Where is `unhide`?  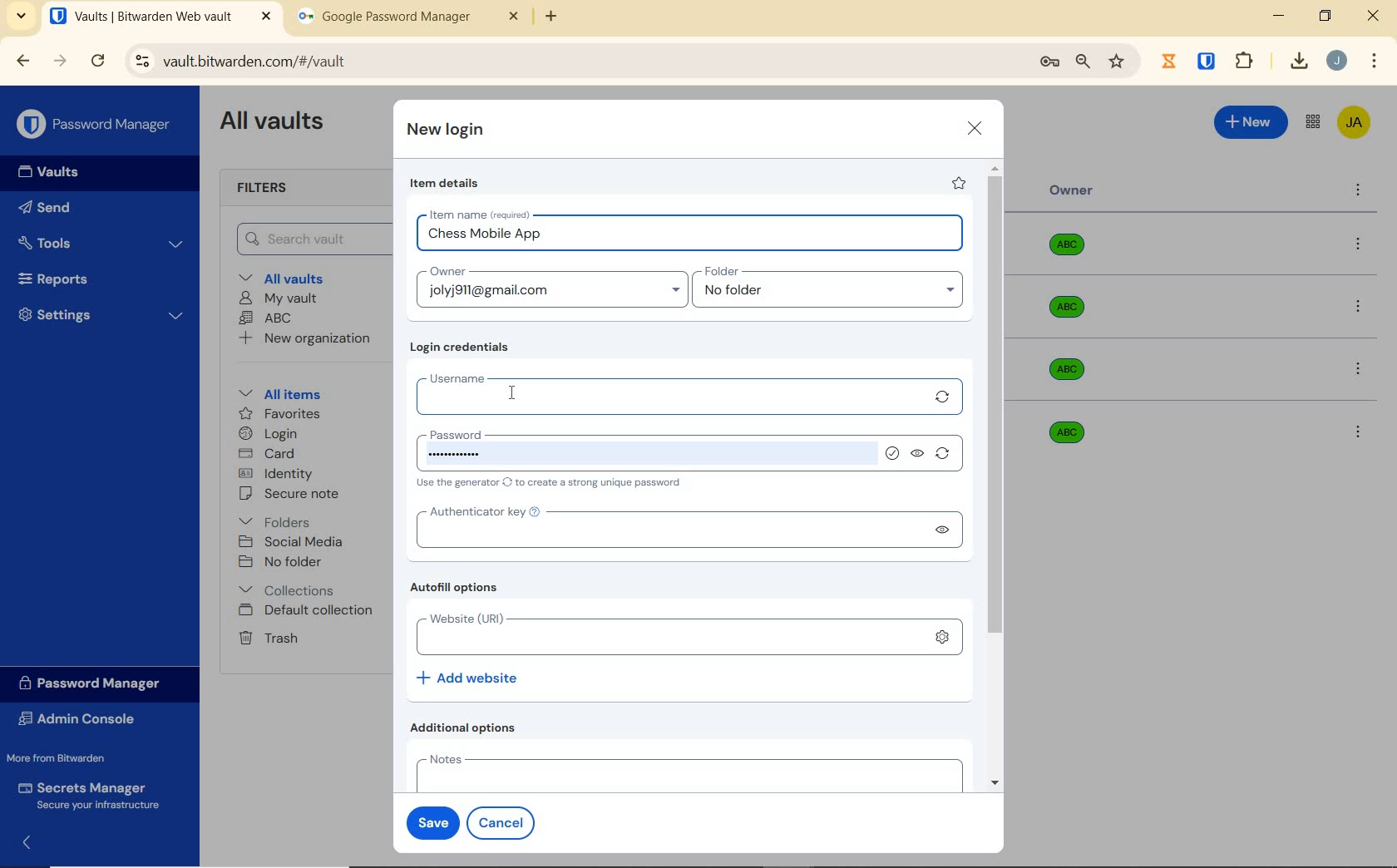
unhide is located at coordinates (919, 455).